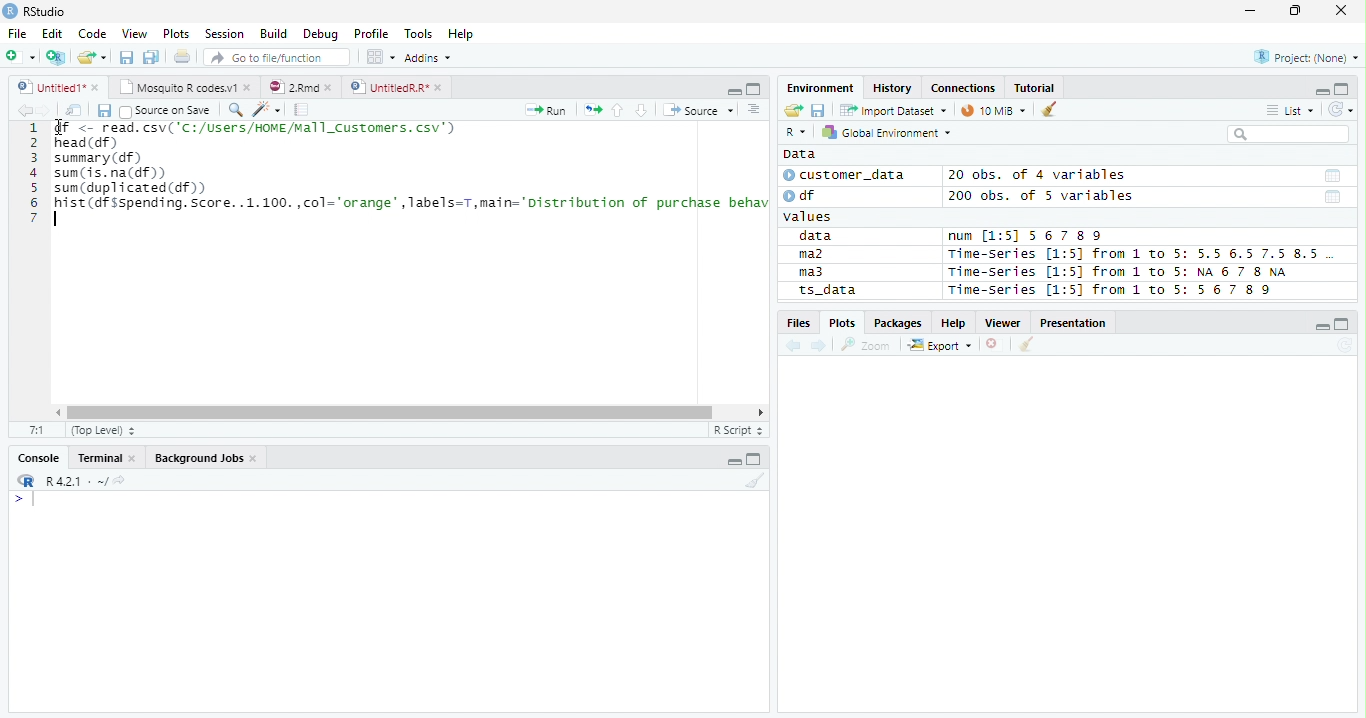 Image resolution: width=1366 pixels, height=718 pixels. Describe the element at coordinates (136, 33) in the screenshot. I see `View` at that location.